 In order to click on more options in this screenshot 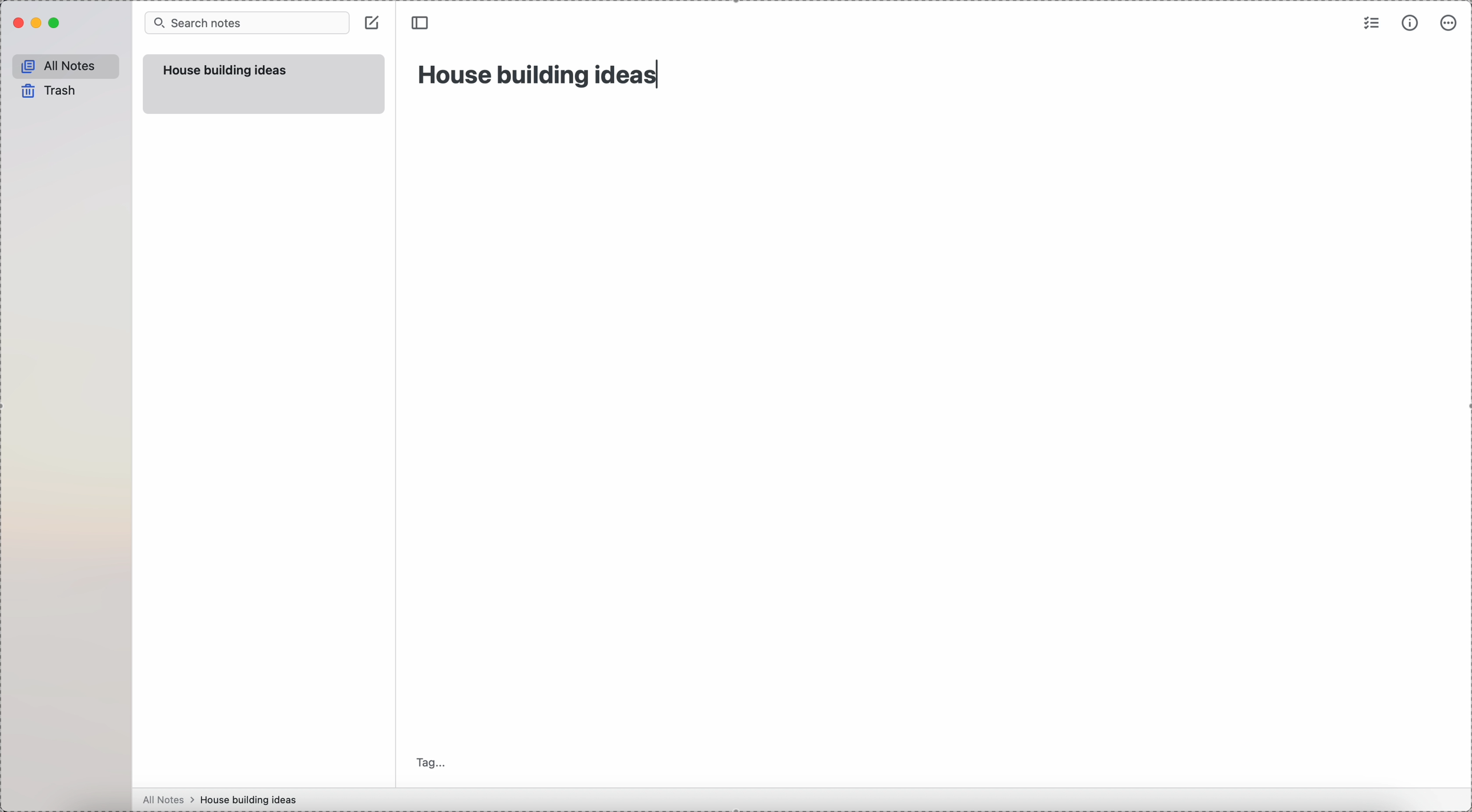, I will do `click(1450, 23)`.